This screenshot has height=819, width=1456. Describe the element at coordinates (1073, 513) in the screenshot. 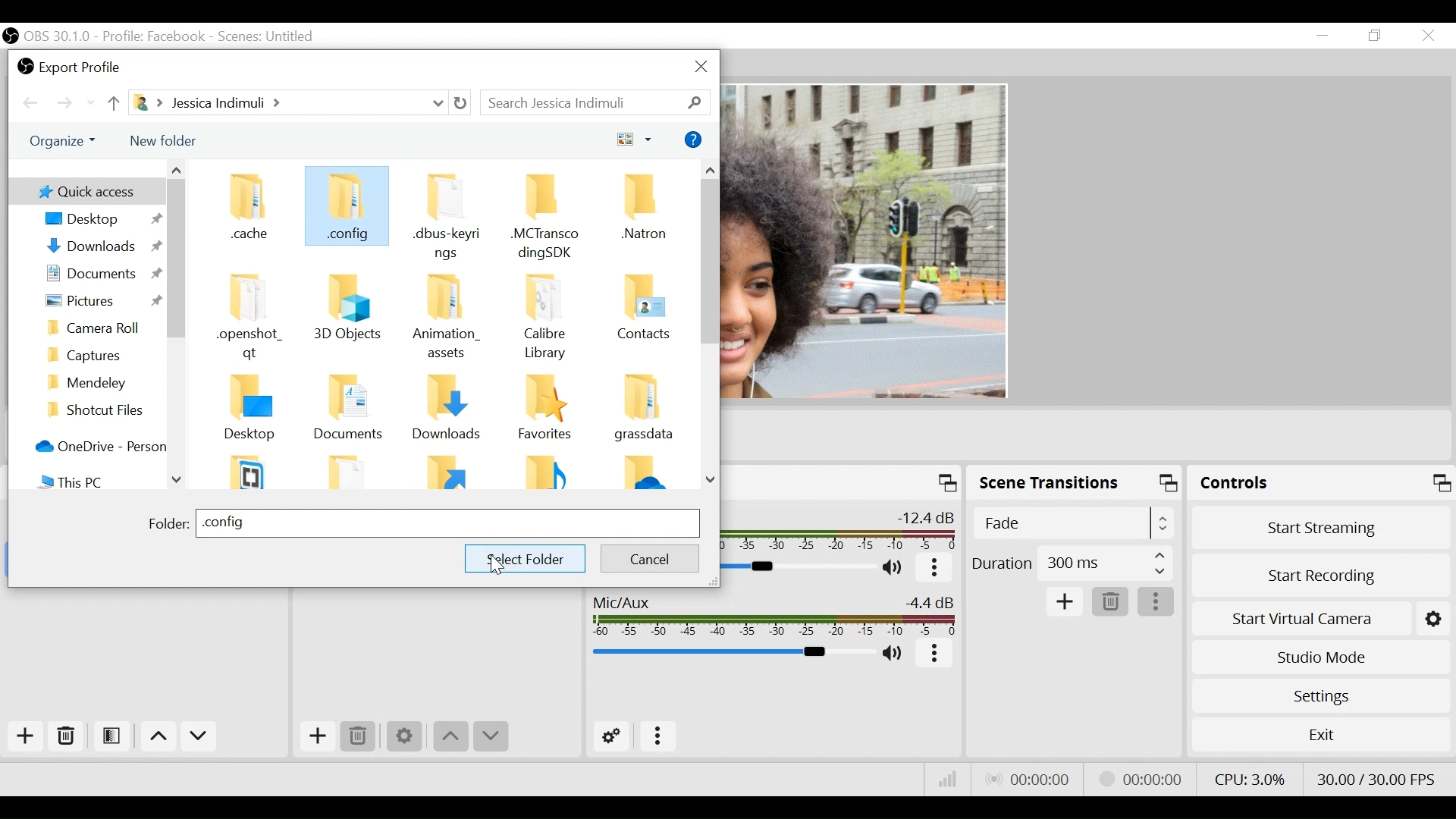

I see `Select Scene Transition` at that location.